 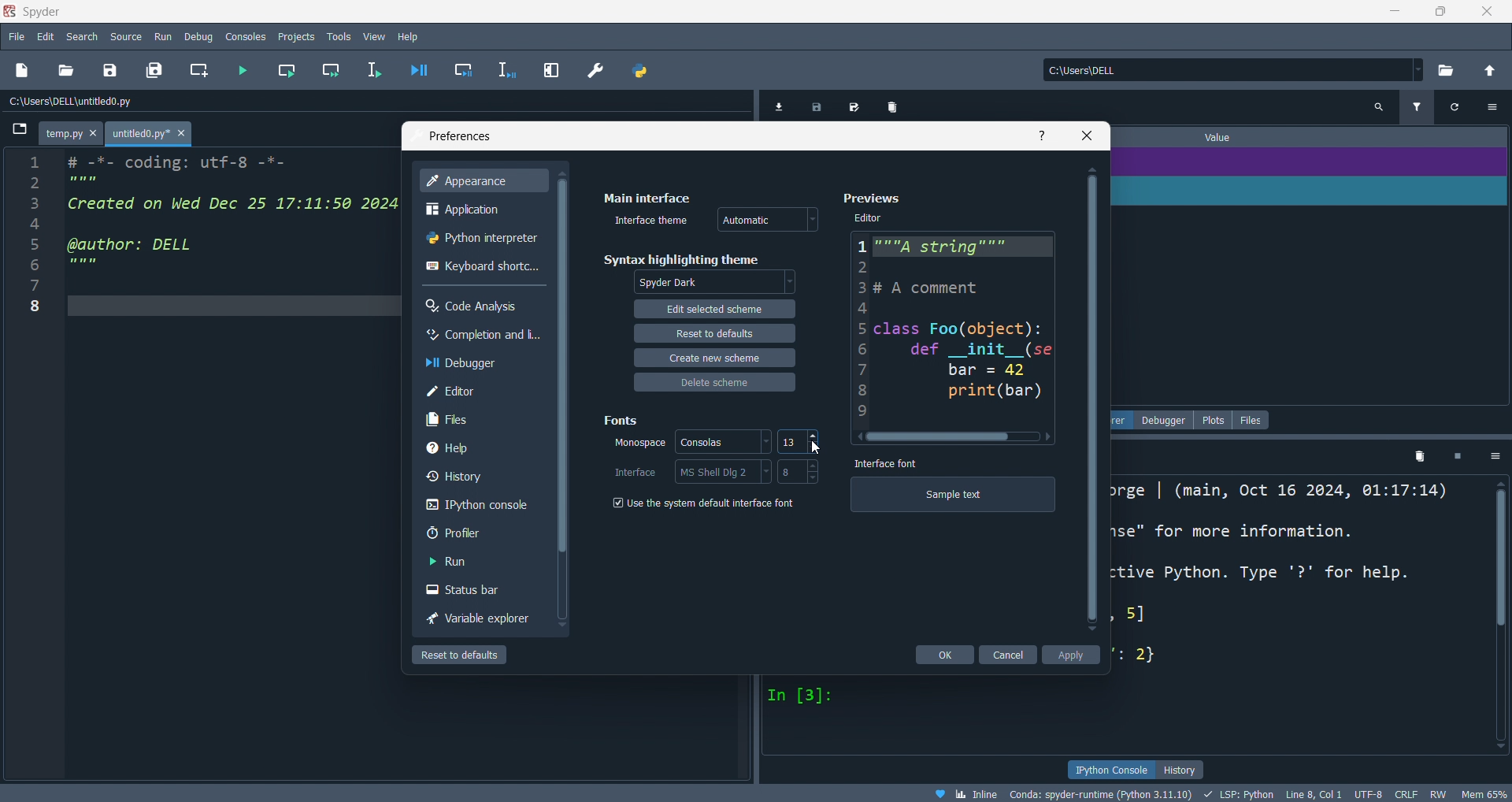 I want to click on save data as, so click(x=854, y=103).